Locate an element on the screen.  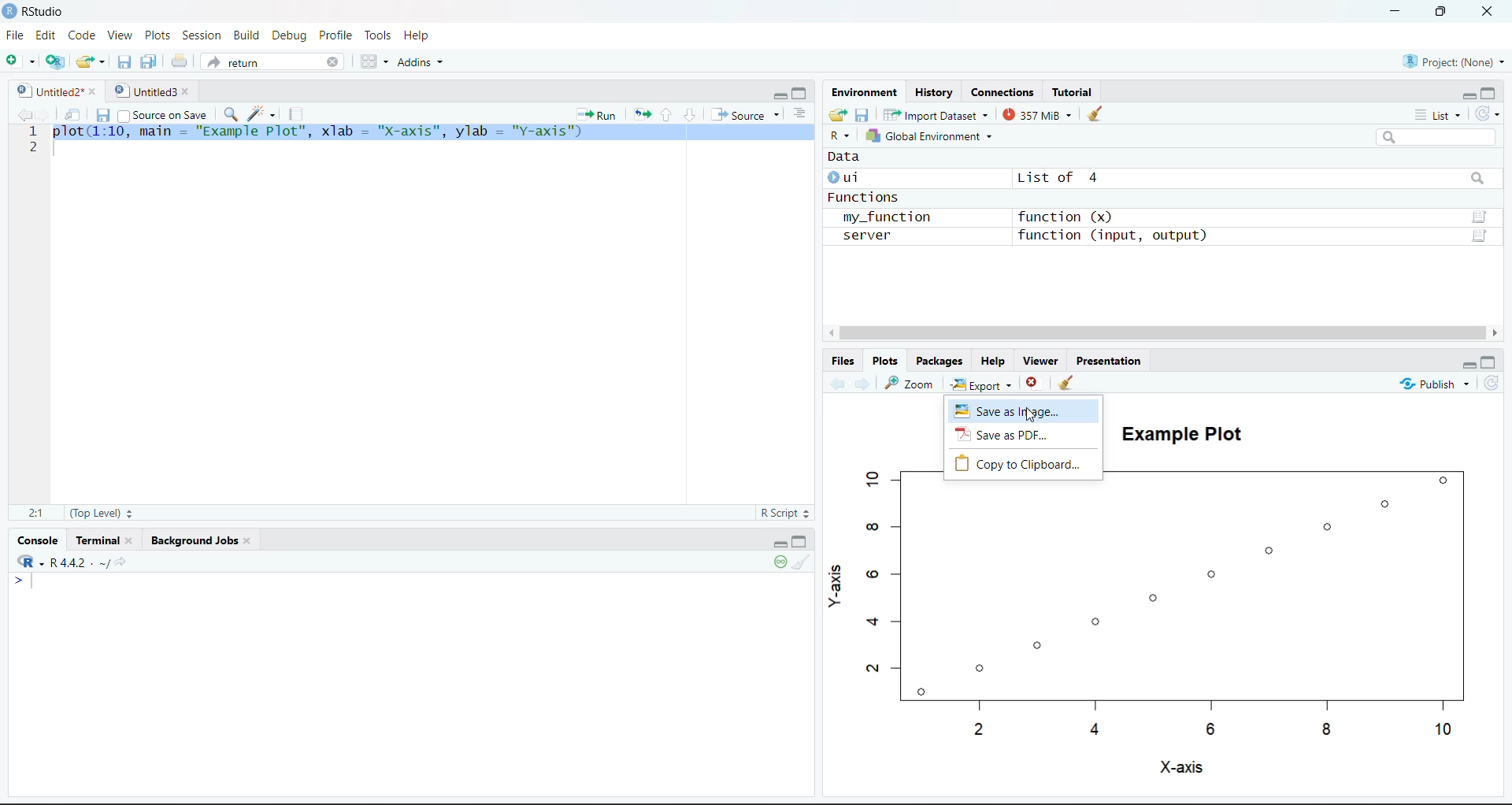
X-axis is located at coordinates (1180, 768).